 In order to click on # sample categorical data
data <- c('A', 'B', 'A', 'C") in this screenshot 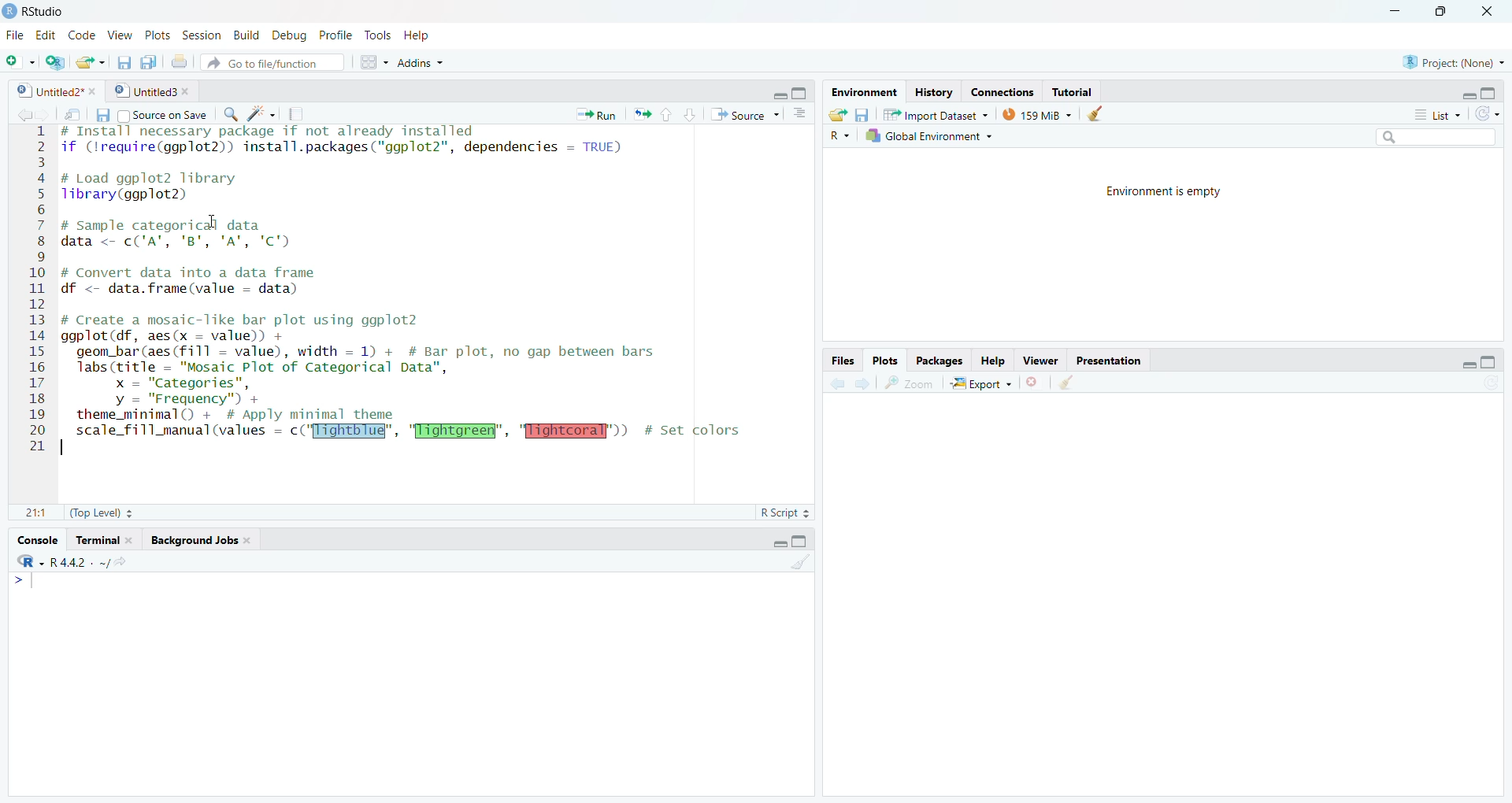, I will do `click(191, 233)`.